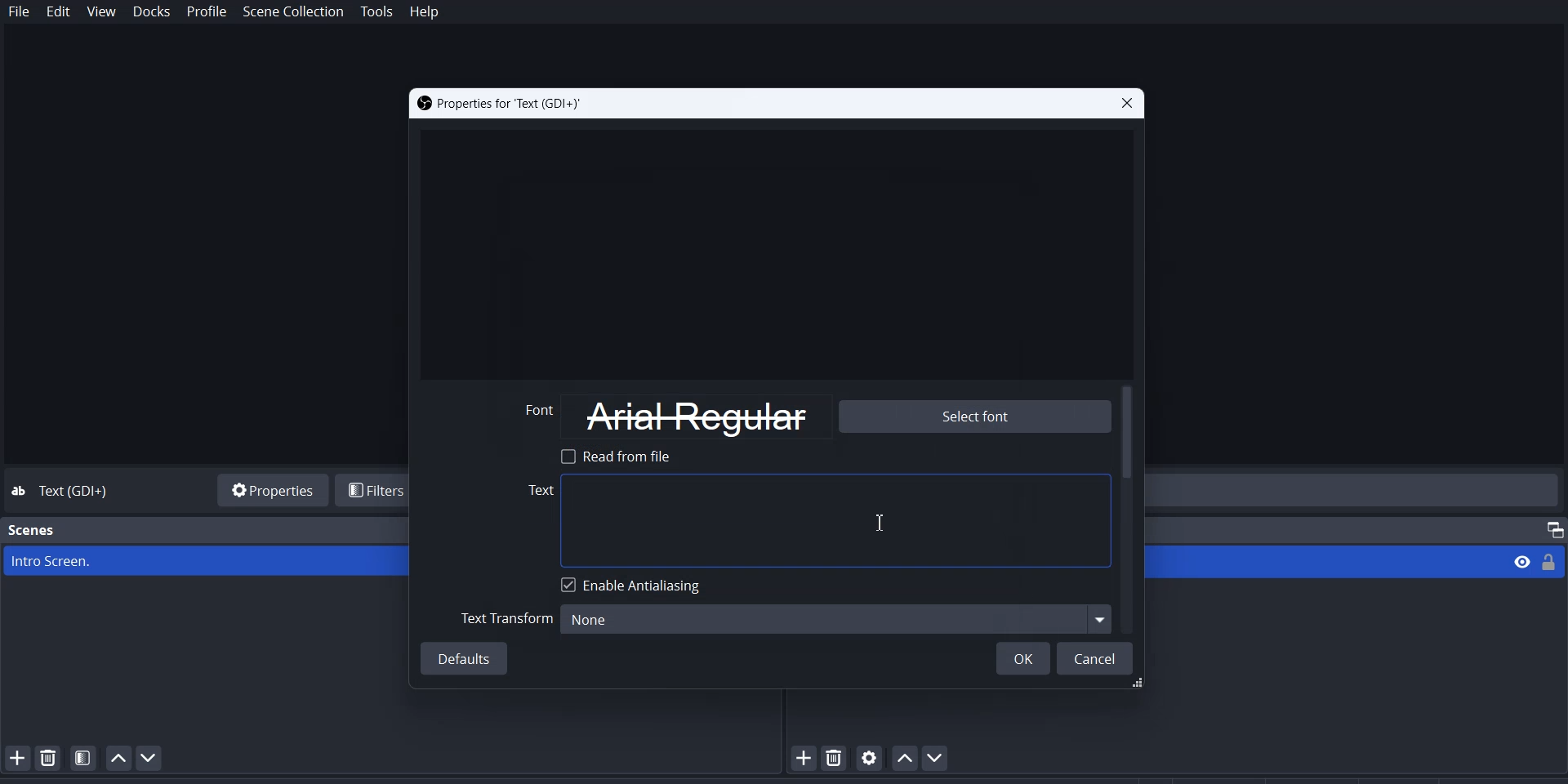 This screenshot has height=784, width=1568. What do you see at coordinates (774, 250) in the screenshot?
I see `Preview Window` at bounding box center [774, 250].